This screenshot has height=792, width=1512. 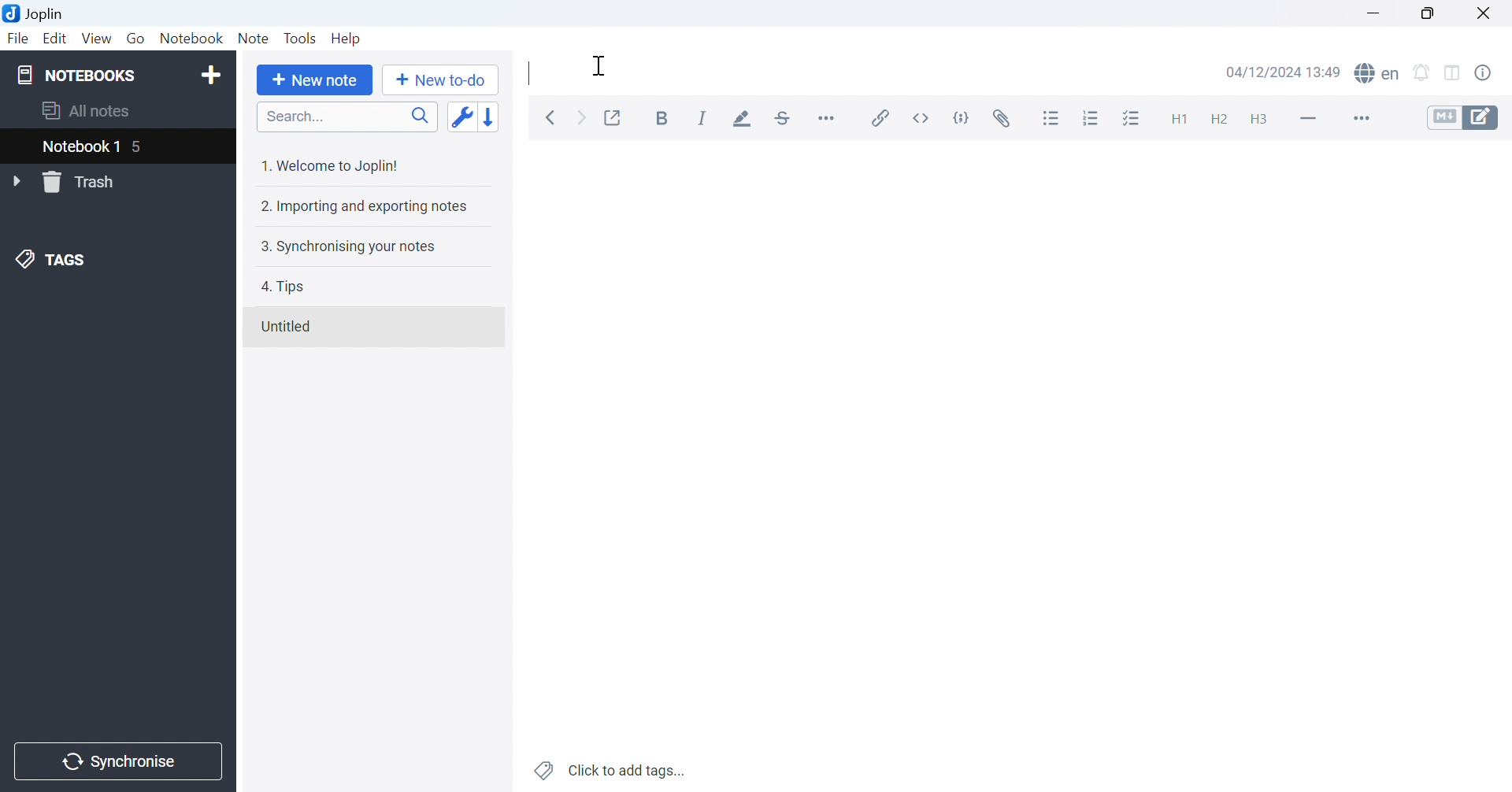 What do you see at coordinates (828, 117) in the screenshot?
I see `Horizontal` at bounding box center [828, 117].